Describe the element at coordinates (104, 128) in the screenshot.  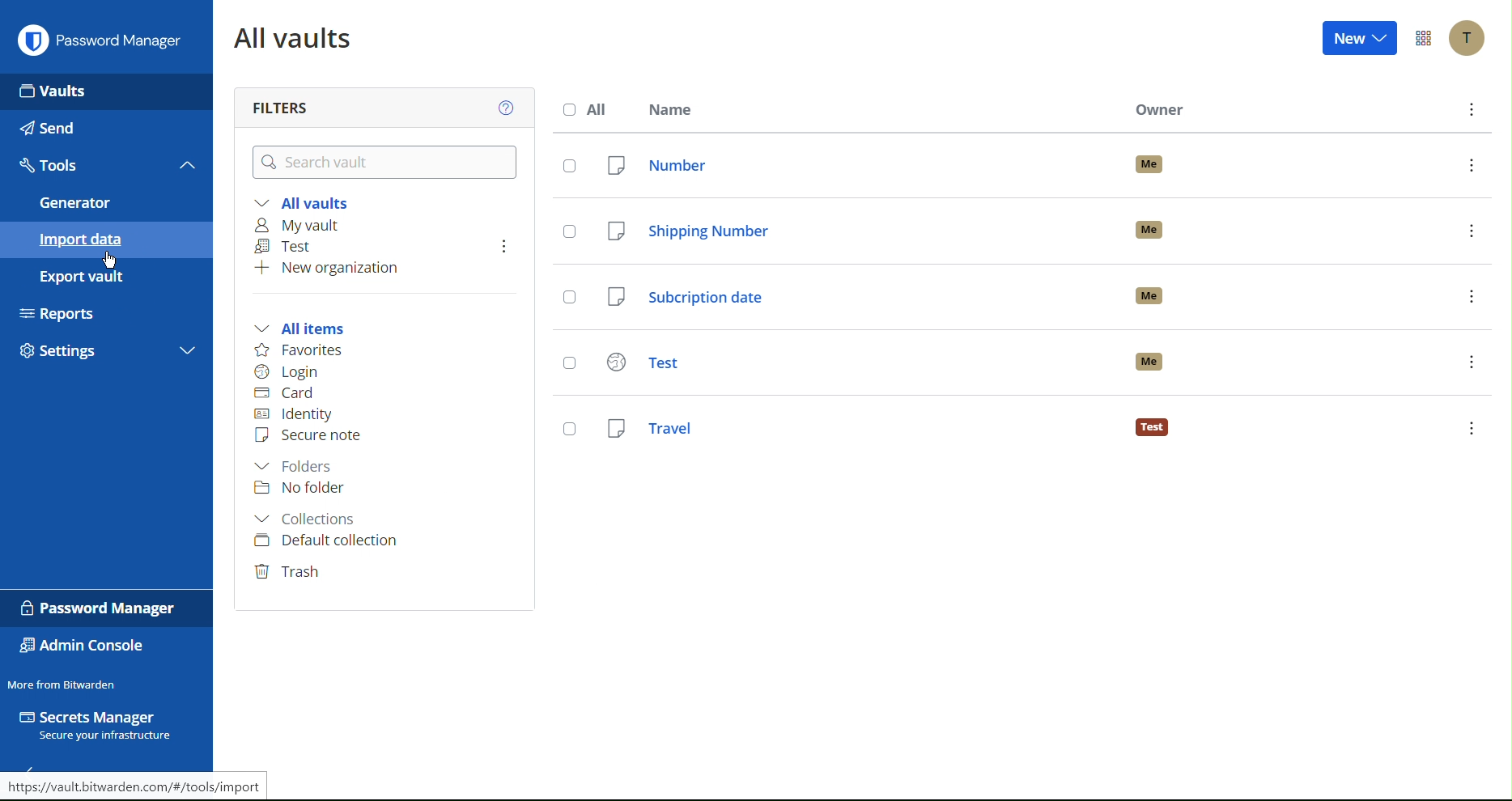
I see `Send` at that location.